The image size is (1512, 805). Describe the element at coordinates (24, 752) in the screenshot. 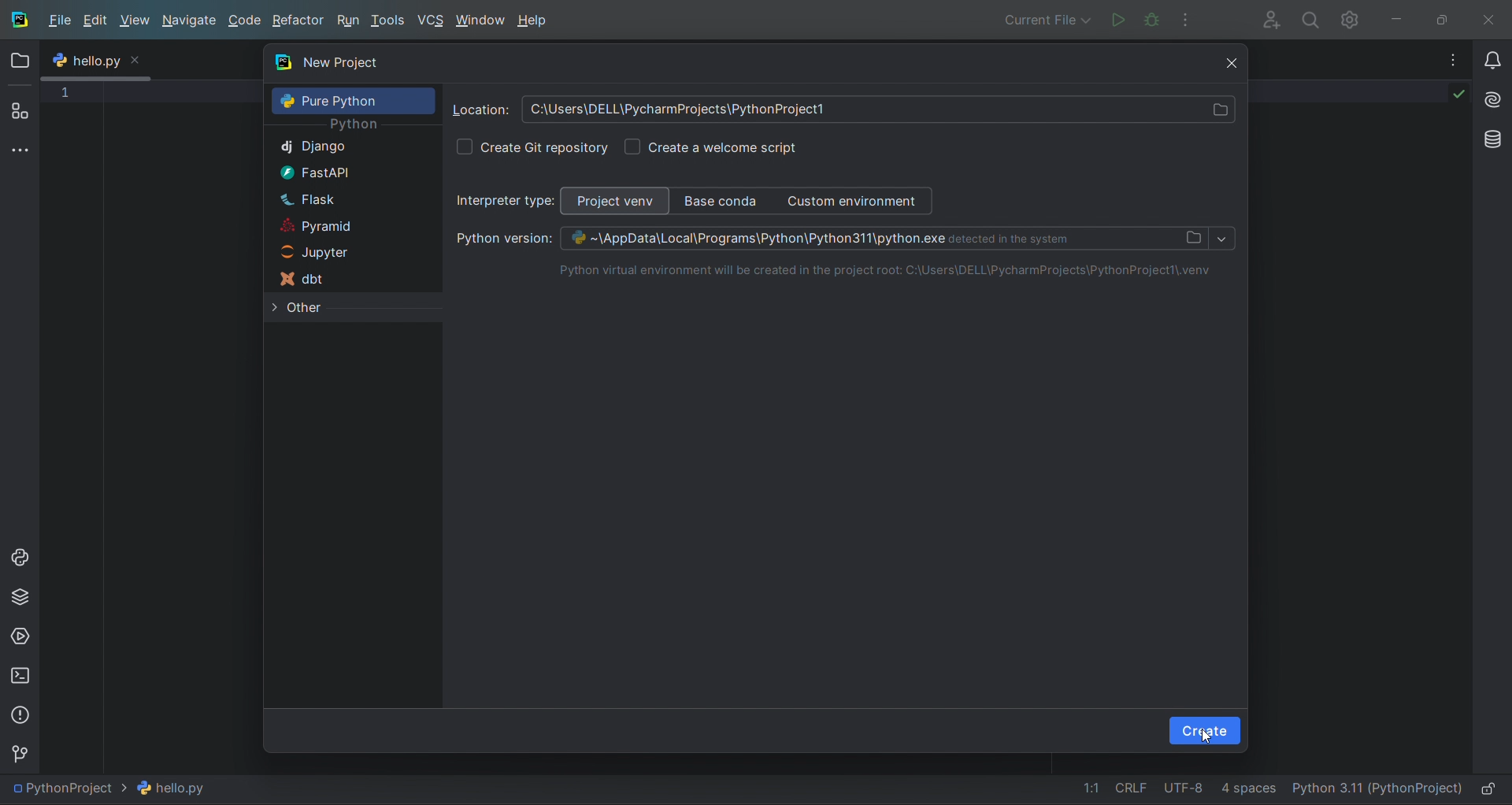

I see `version control` at that location.